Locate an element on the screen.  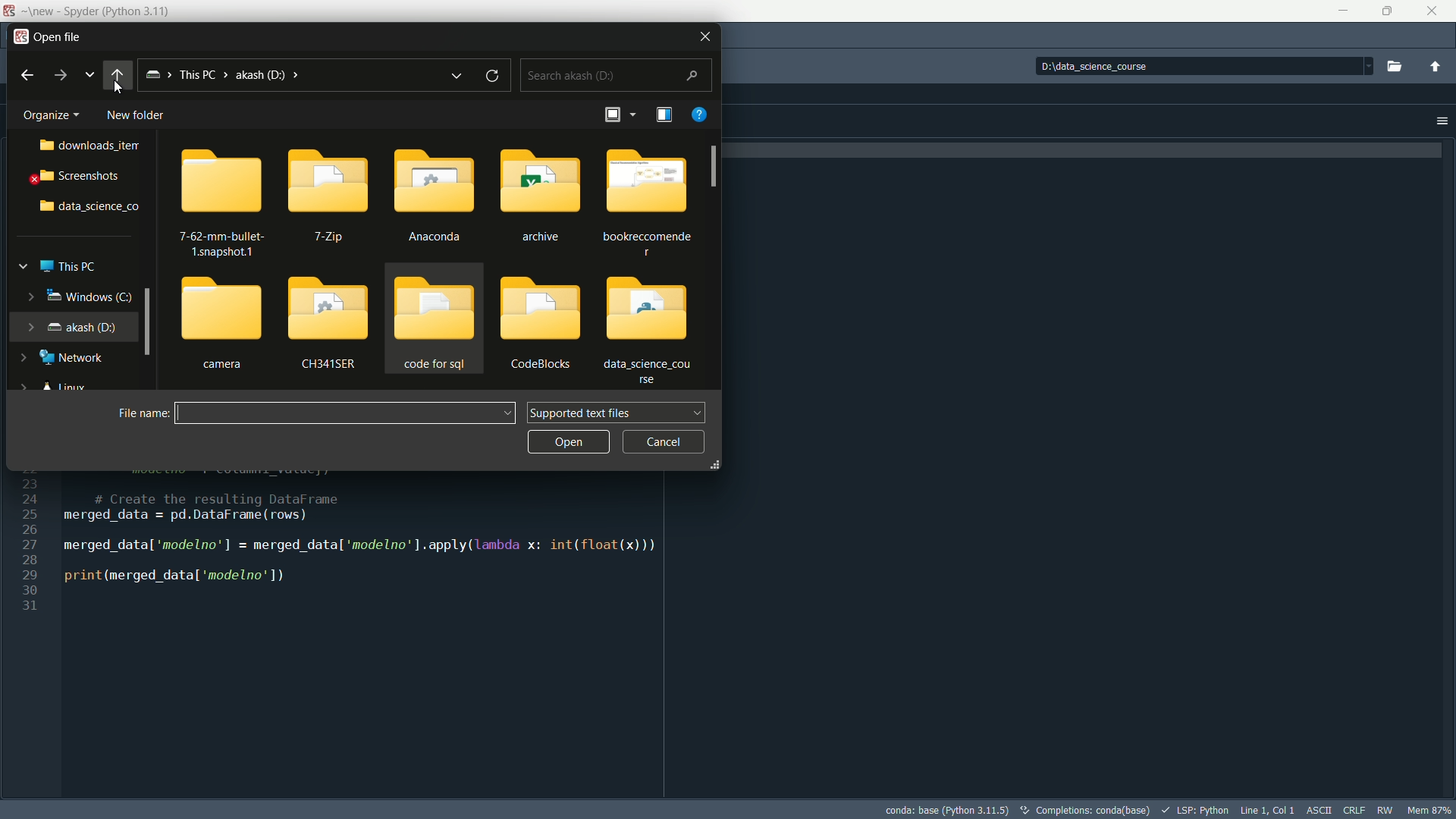
file eol status is located at coordinates (1354, 810).